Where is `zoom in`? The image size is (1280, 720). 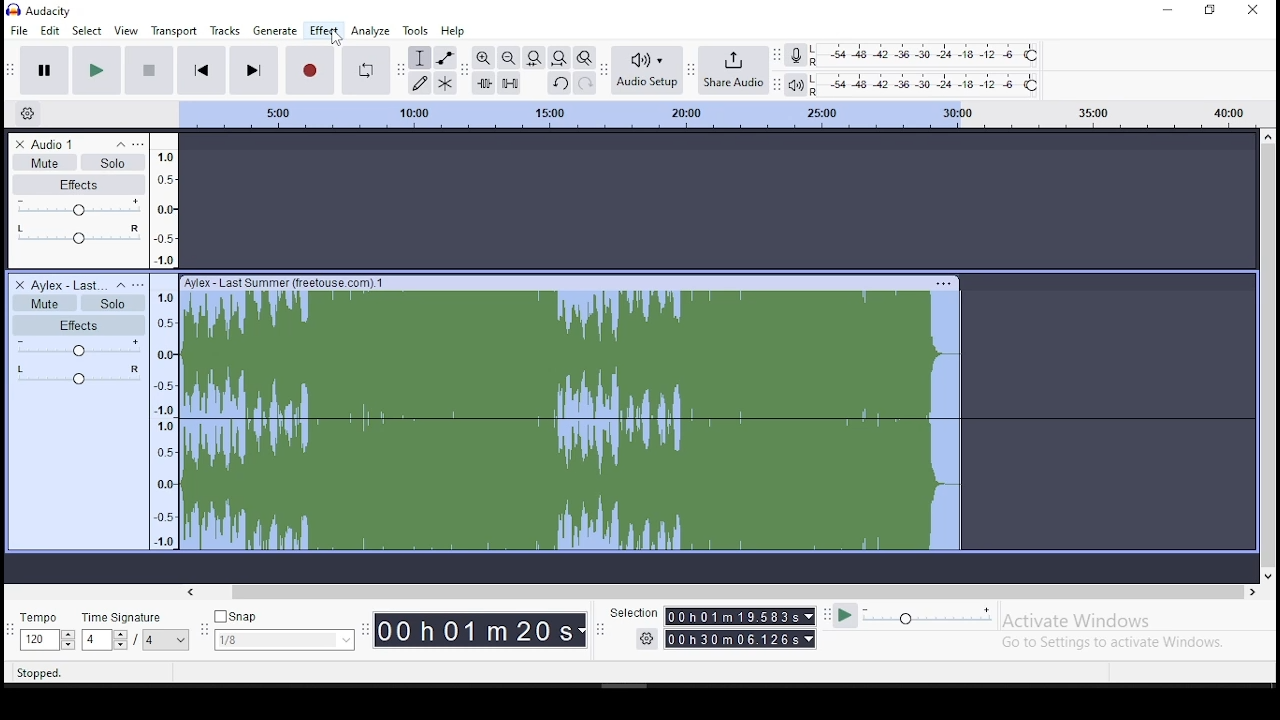 zoom in is located at coordinates (483, 57).